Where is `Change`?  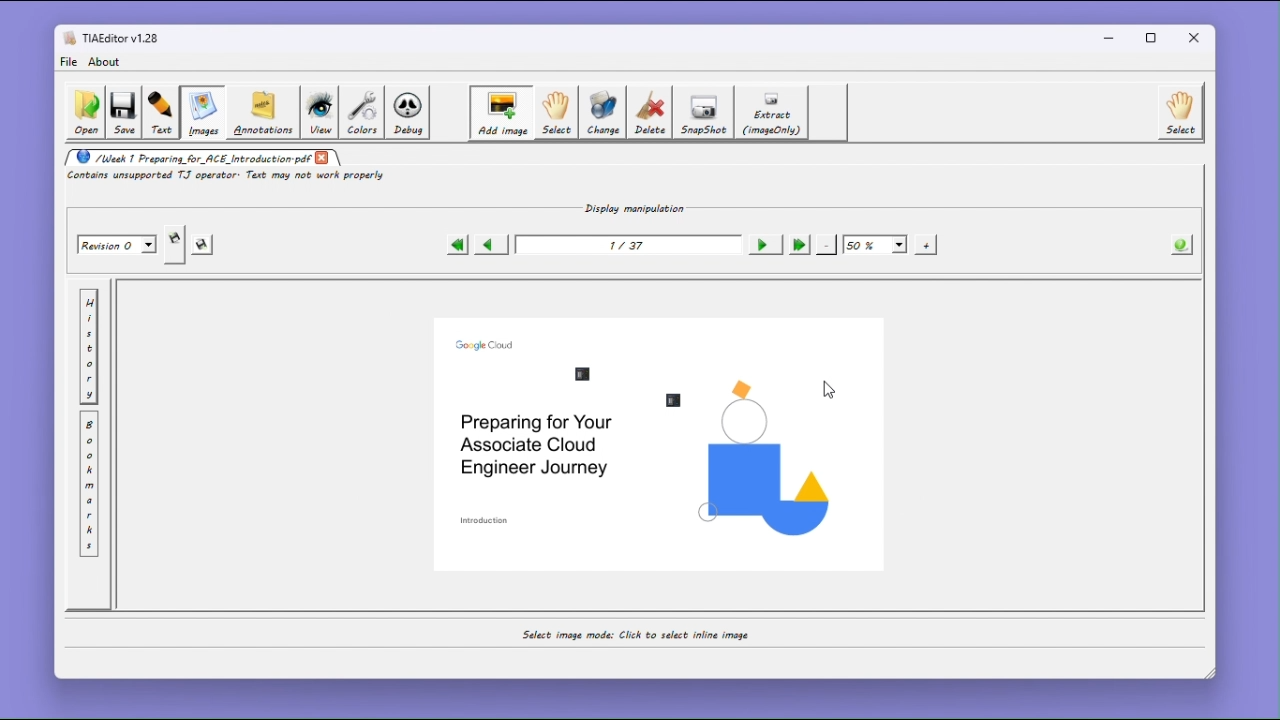
Change is located at coordinates (604, 112).